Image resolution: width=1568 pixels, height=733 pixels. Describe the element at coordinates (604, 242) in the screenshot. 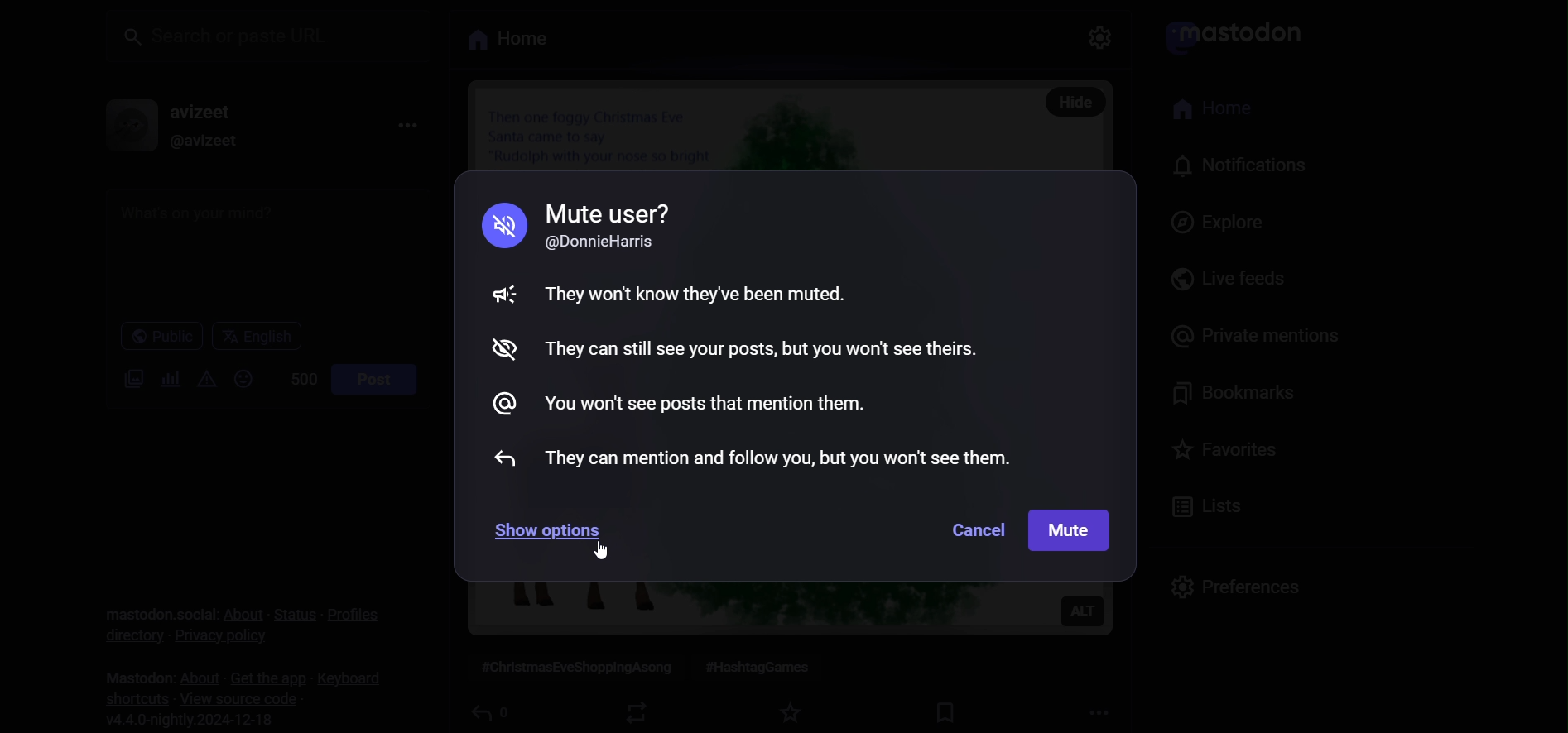

I see `@DonnieHarris` at that location.